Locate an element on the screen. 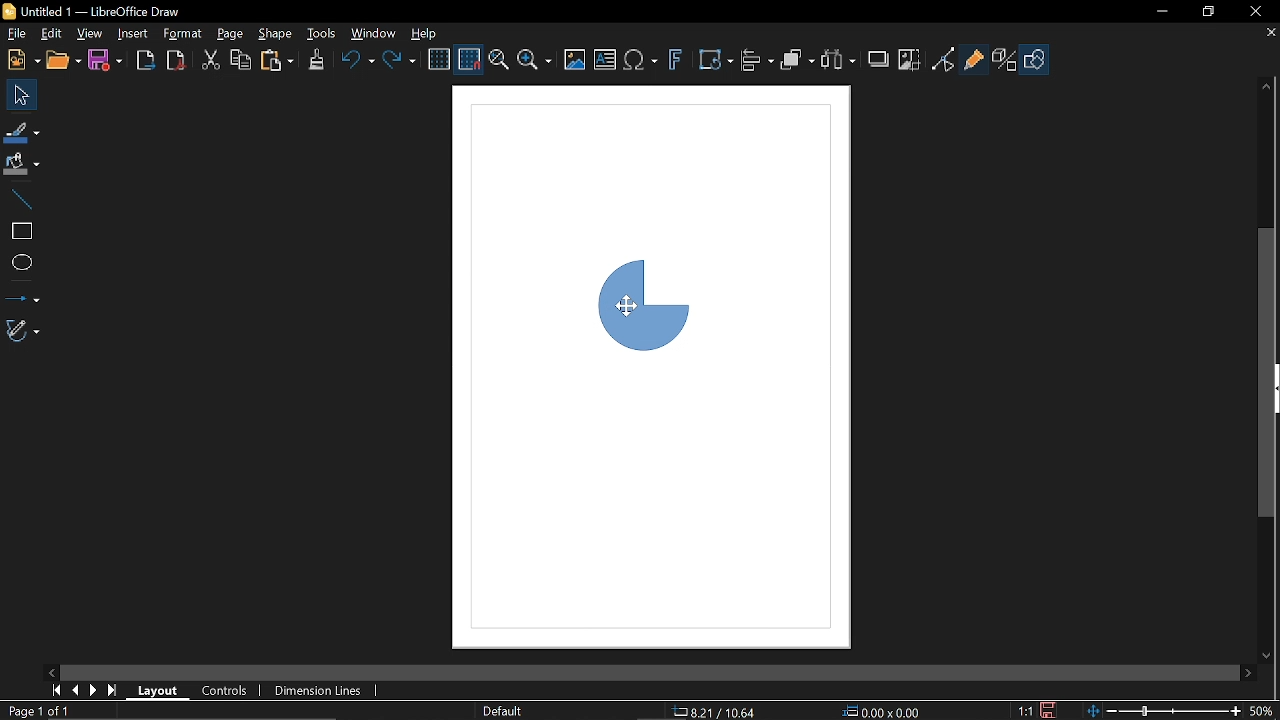 This screenshot has width=1280, height=720. Clone tool is located at coordinates (315, 62).